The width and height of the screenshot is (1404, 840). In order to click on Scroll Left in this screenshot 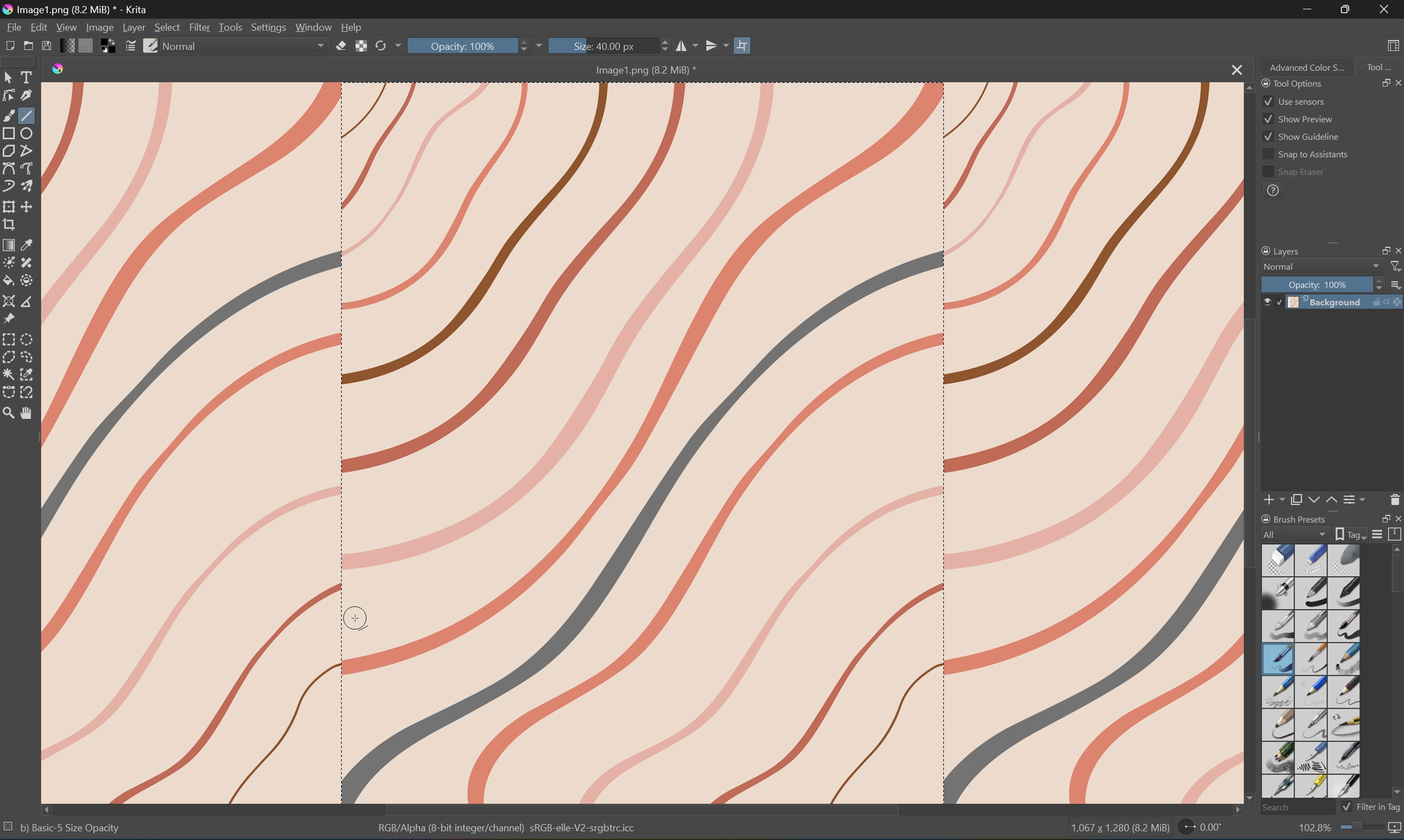, I will do `click(48, 808)`.